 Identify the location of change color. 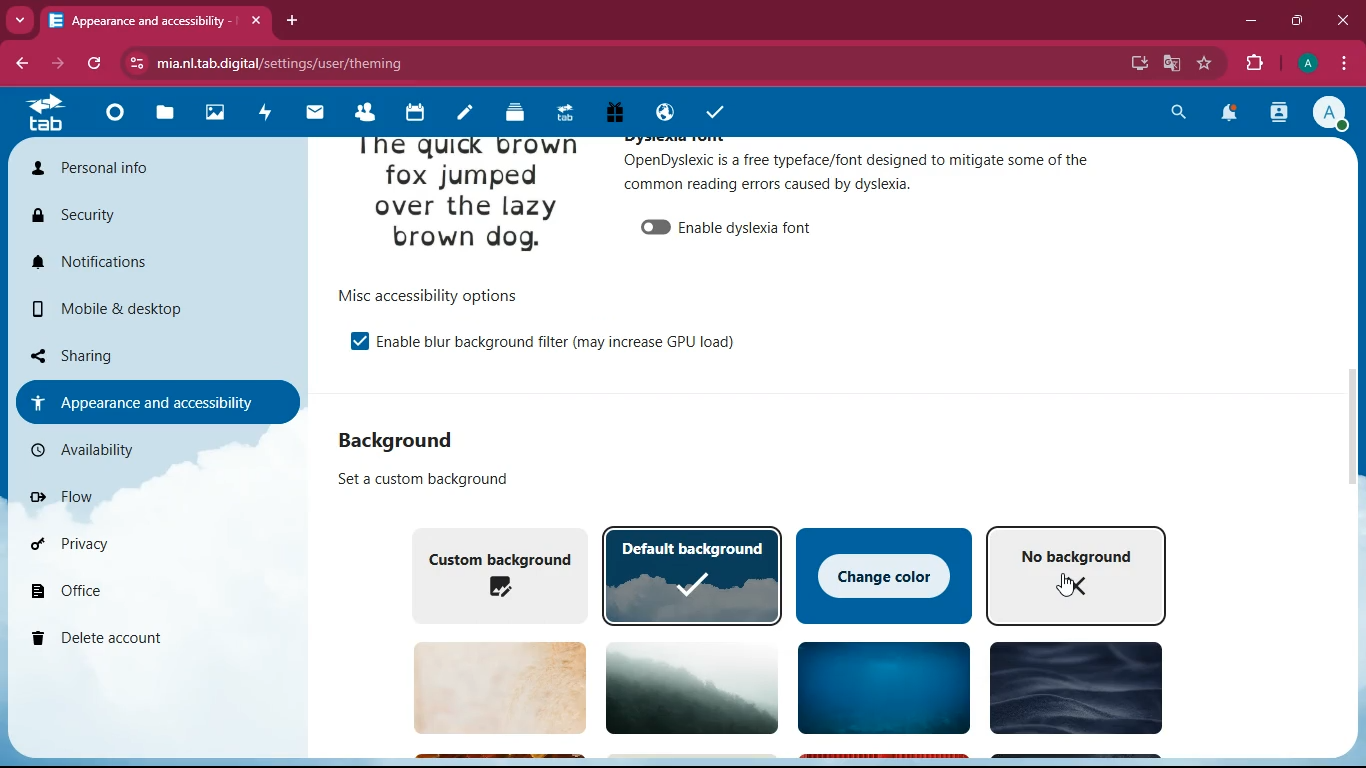
(885, 573).